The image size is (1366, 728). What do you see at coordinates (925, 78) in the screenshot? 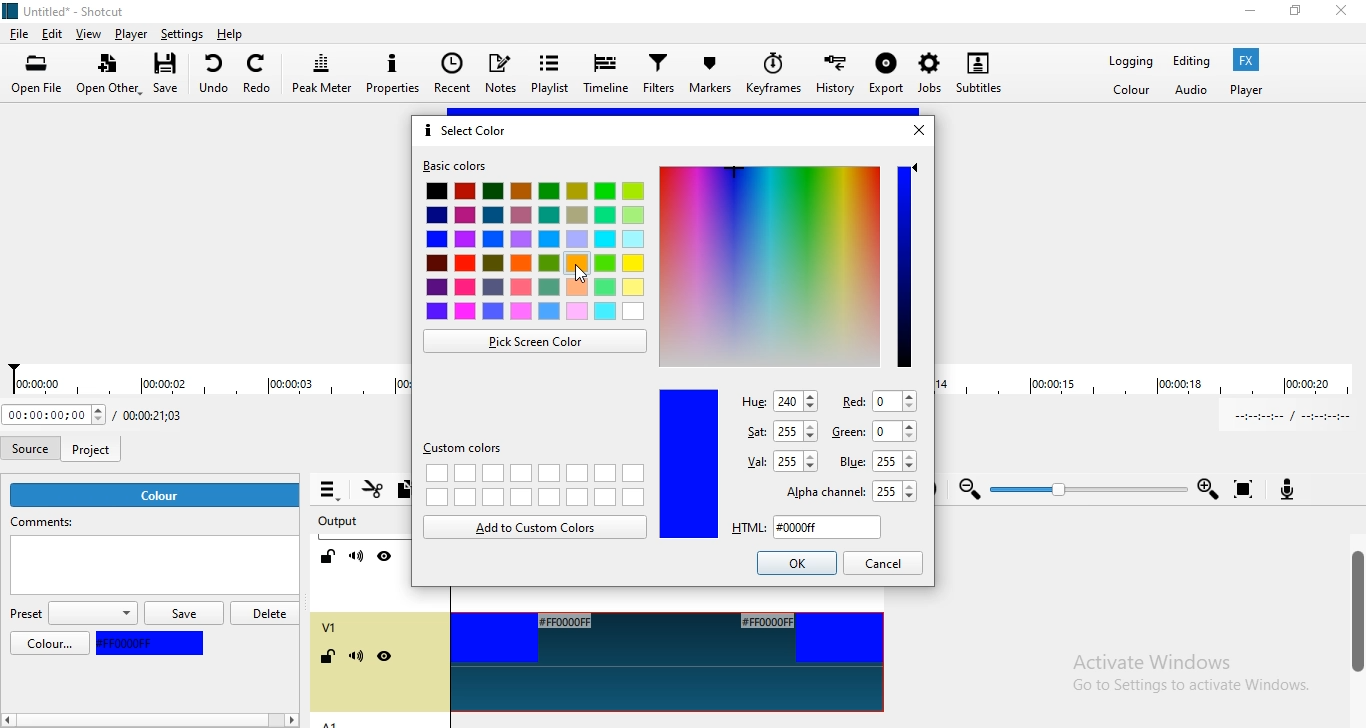
I see `Jobs` at bounding box center [925, 78].